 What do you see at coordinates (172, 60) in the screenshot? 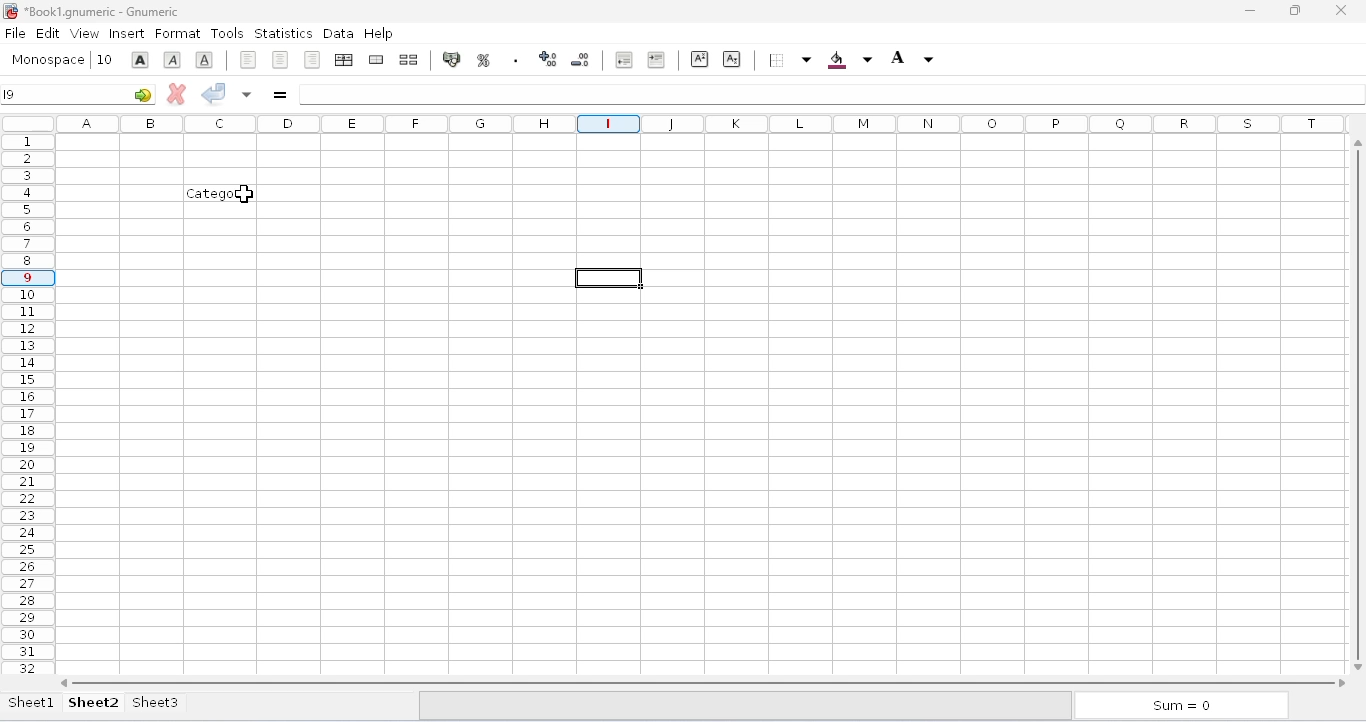
I see `italic` at bounding box center [172, 60].